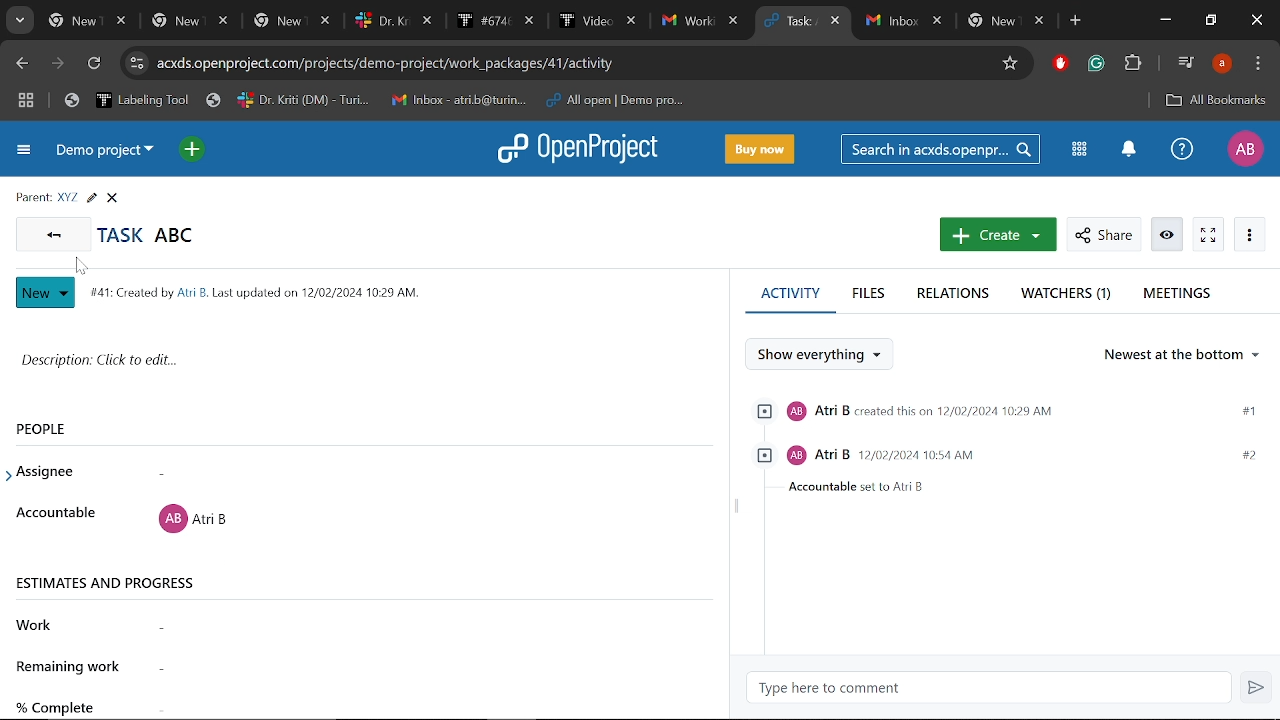  I want to click on Create, so click(998, 235).